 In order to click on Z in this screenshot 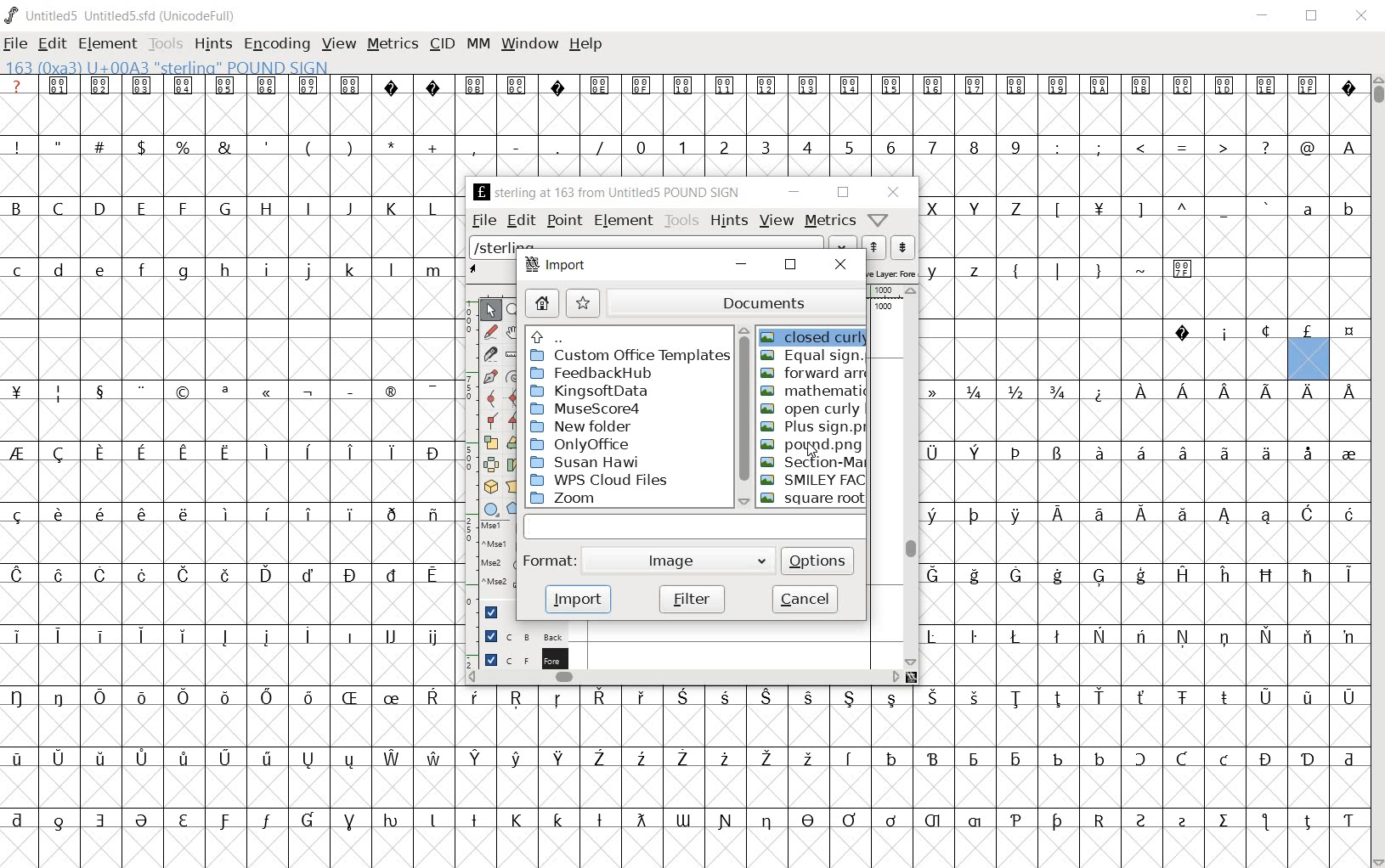, I will do `click(1016, 210)`.